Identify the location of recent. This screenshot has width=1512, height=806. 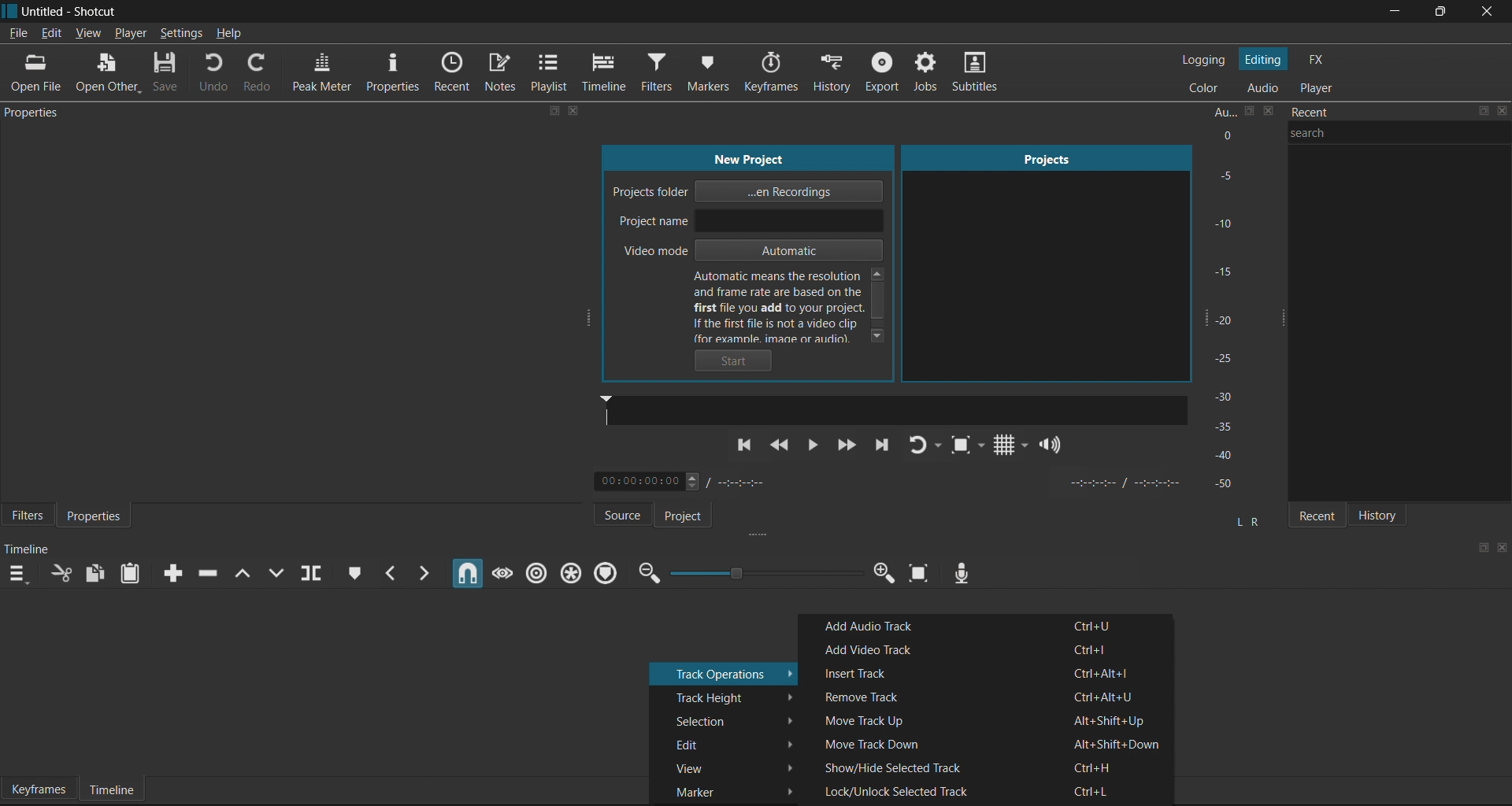
(1360, 114).